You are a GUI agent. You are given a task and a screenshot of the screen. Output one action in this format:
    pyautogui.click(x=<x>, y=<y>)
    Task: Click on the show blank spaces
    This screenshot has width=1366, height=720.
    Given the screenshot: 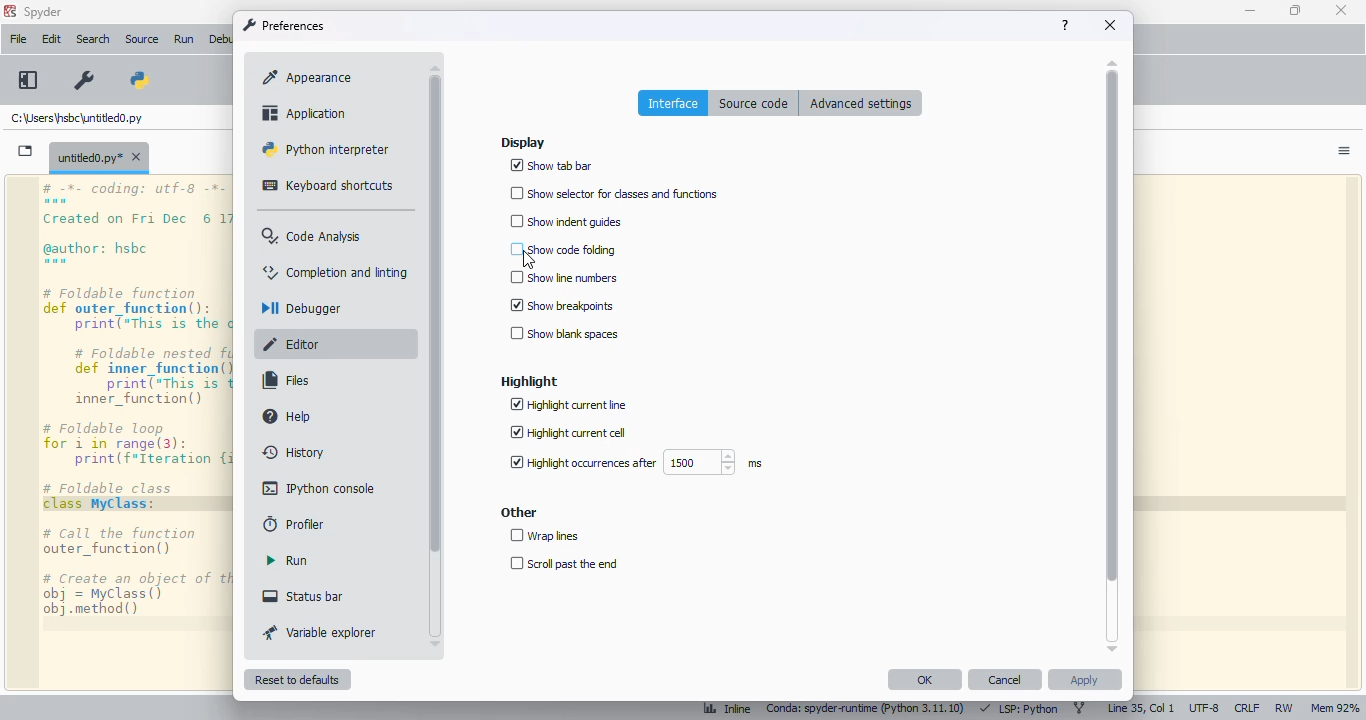 What is the action you would take?
    pyautogui.click(x=564, y=333)
    